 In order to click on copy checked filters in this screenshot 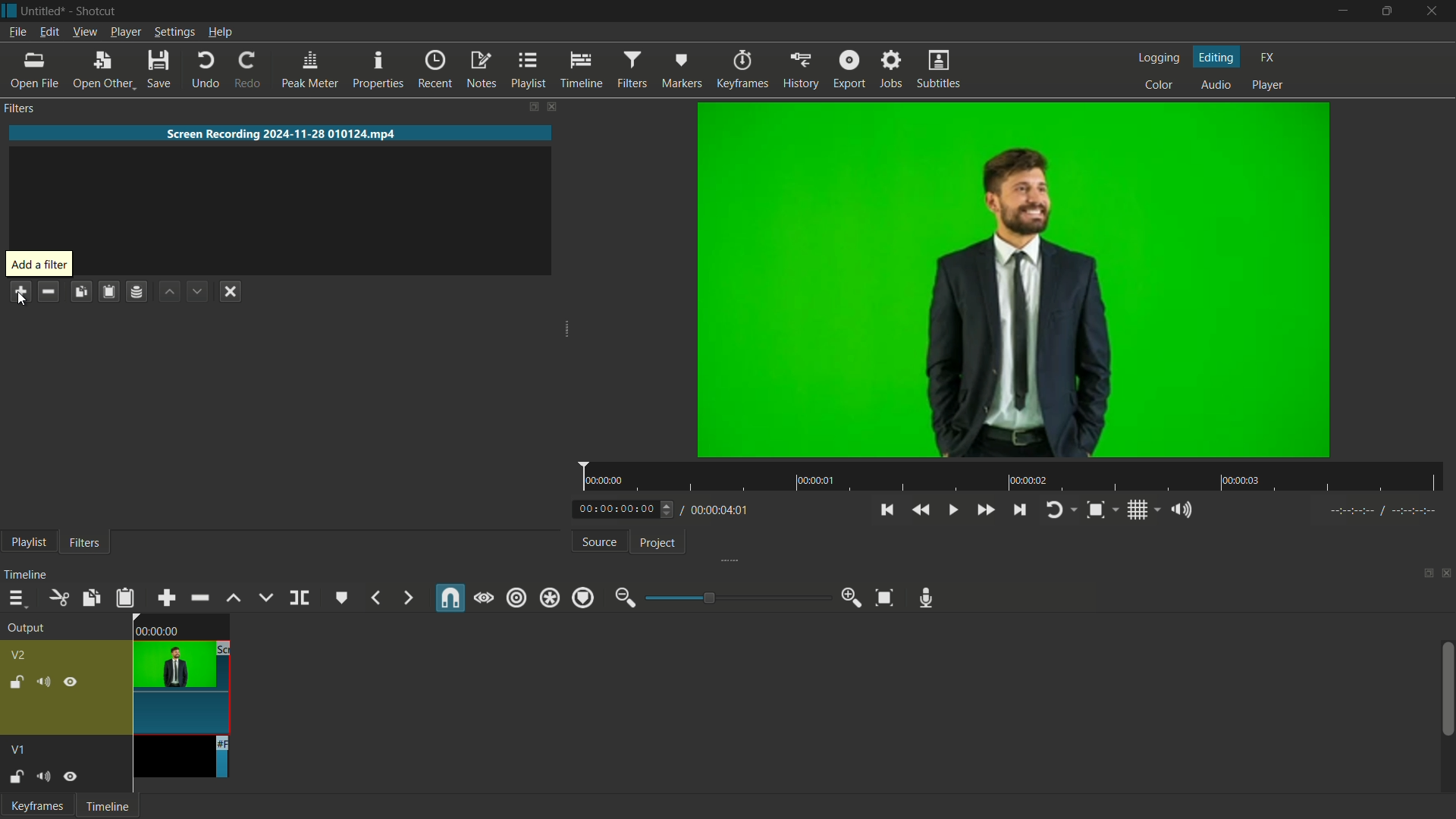, I will do `click(80, 292)`.